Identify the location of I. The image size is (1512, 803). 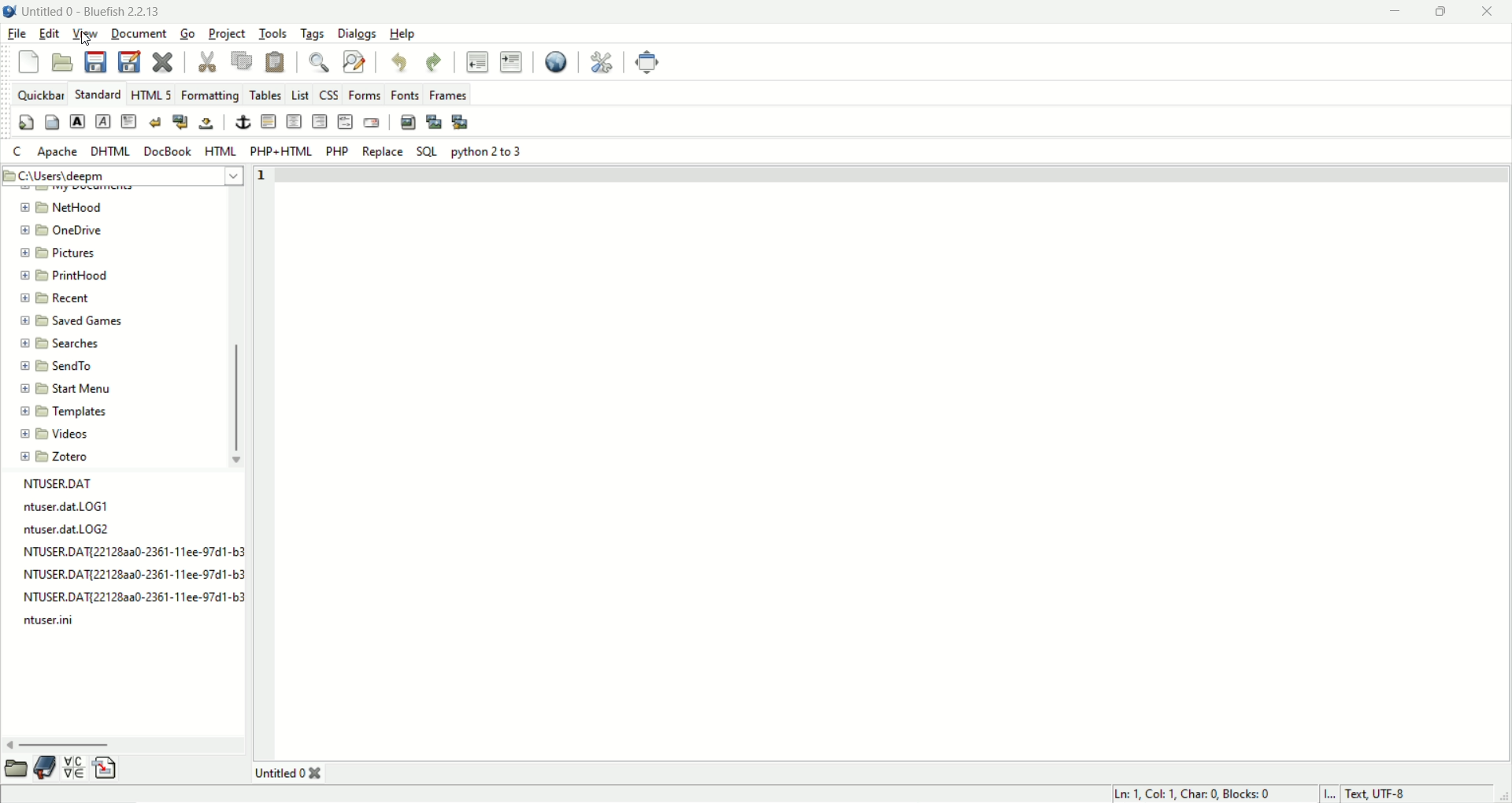
(1329, 794).